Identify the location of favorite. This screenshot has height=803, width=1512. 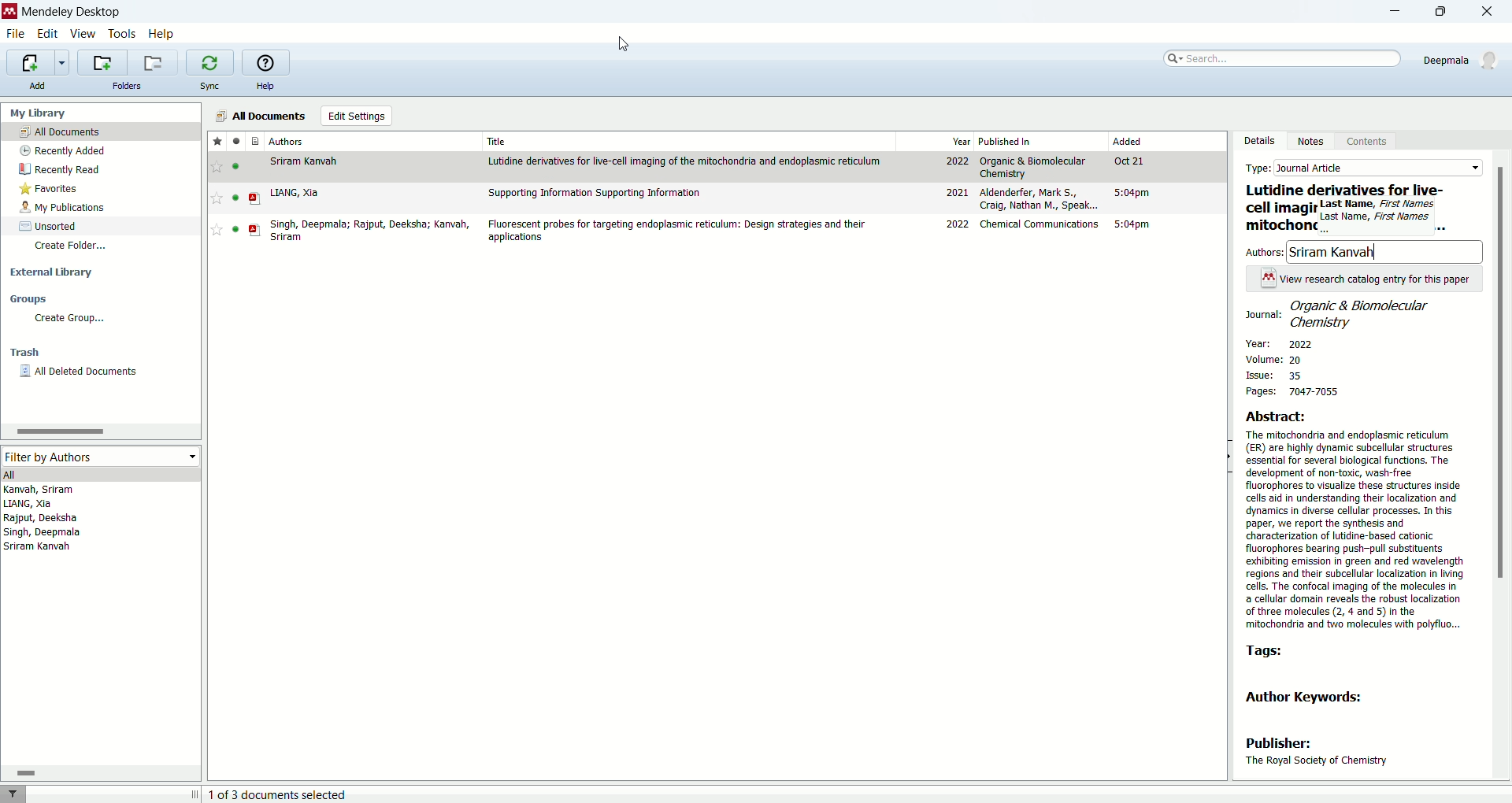
(214, 141).